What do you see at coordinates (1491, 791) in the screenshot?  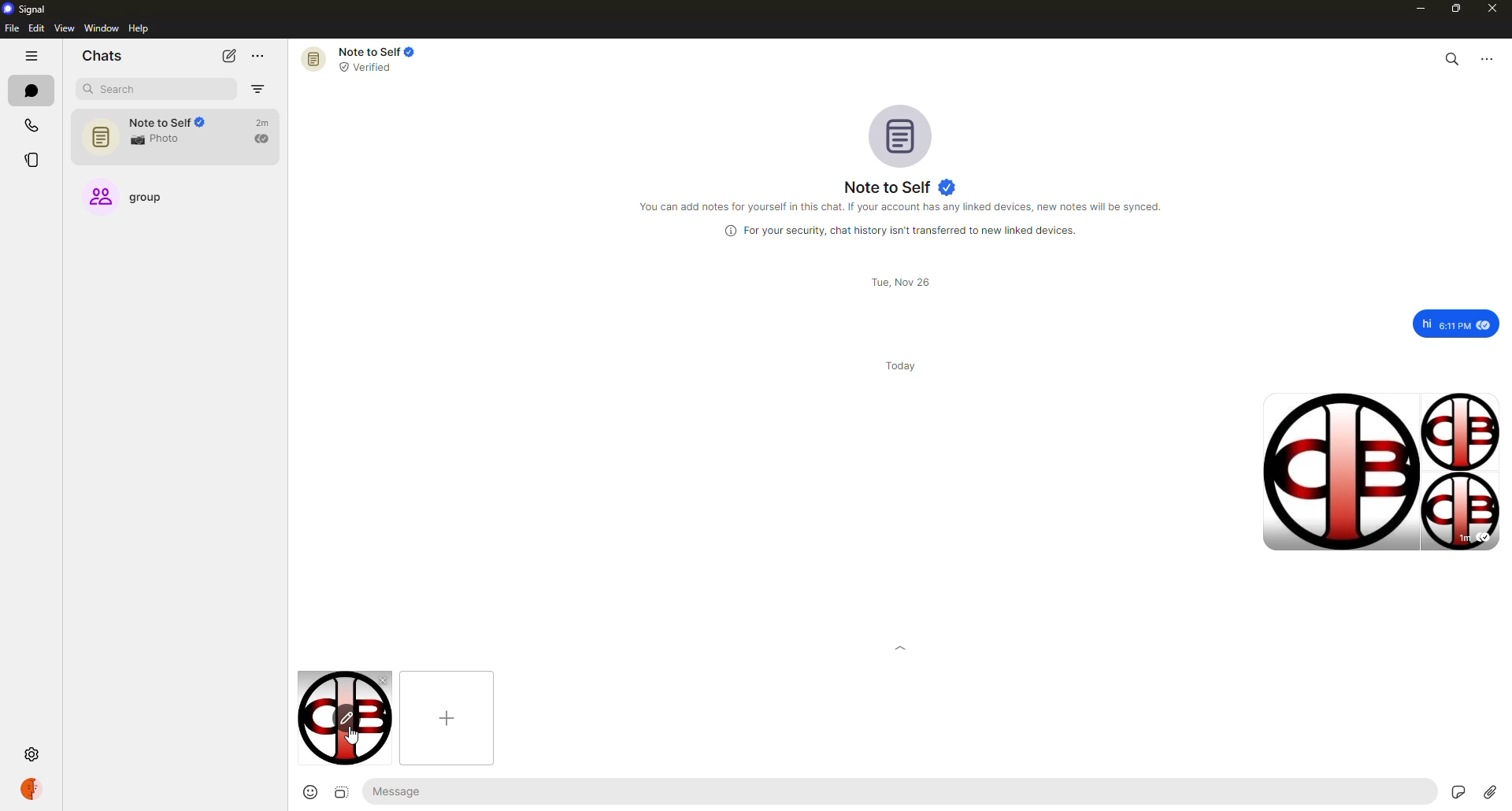 I see `attach` at bounding box center [1491, 791].